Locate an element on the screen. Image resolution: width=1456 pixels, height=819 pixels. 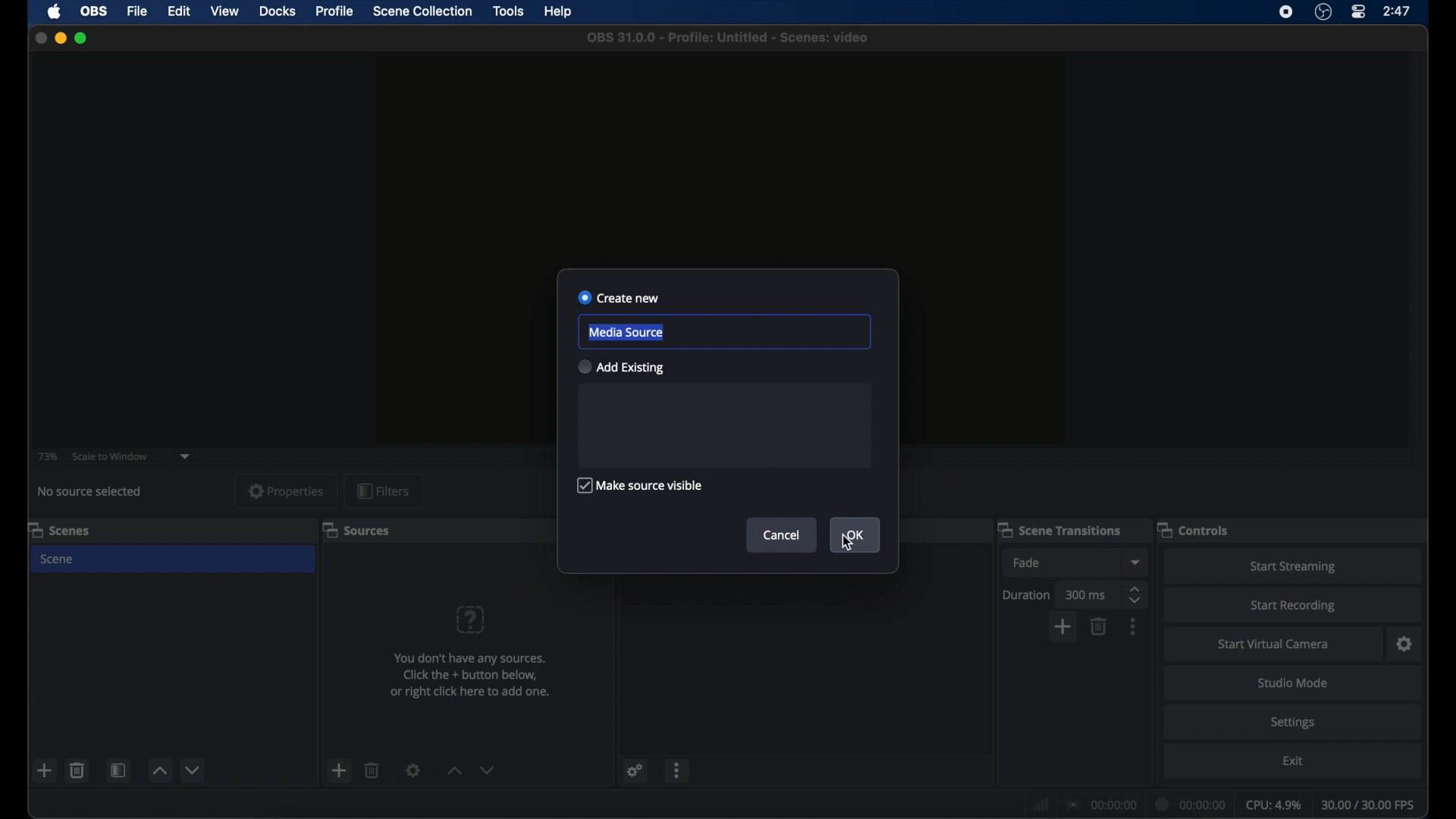
help is located at coordinates (559, 12).